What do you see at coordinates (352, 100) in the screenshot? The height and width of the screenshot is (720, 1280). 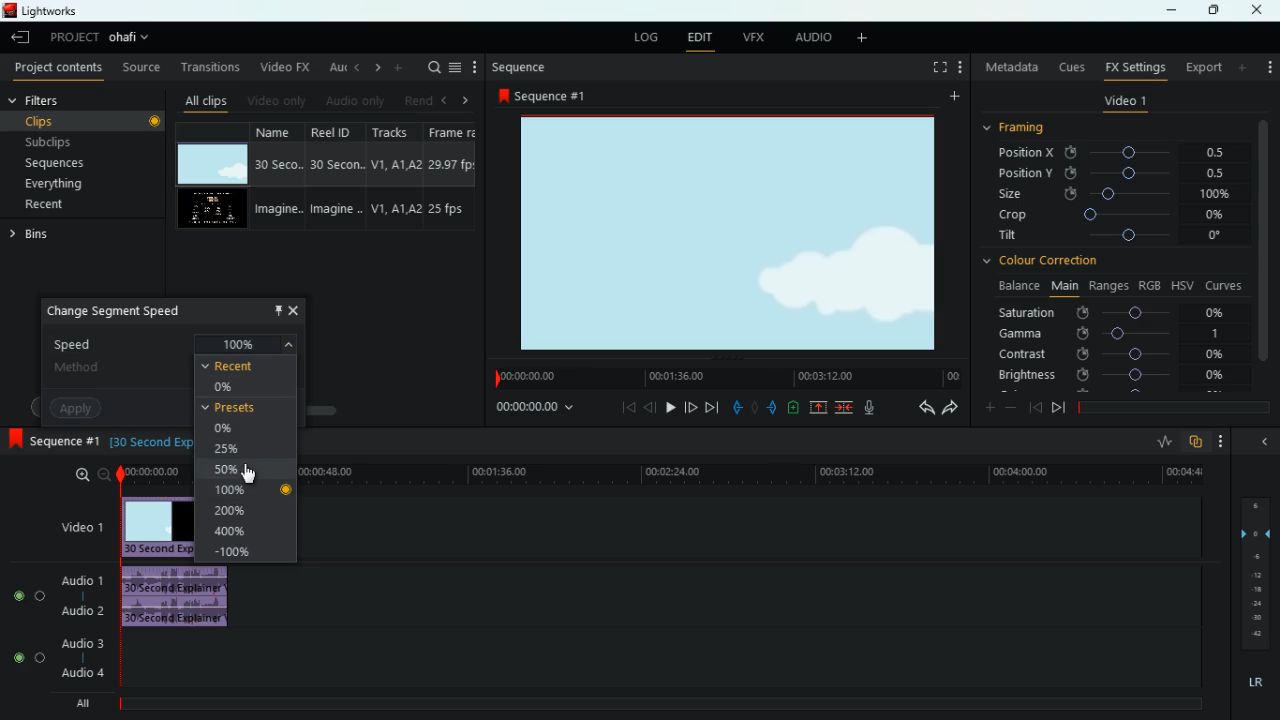 I see `audio` at bounding box center [352, 100].